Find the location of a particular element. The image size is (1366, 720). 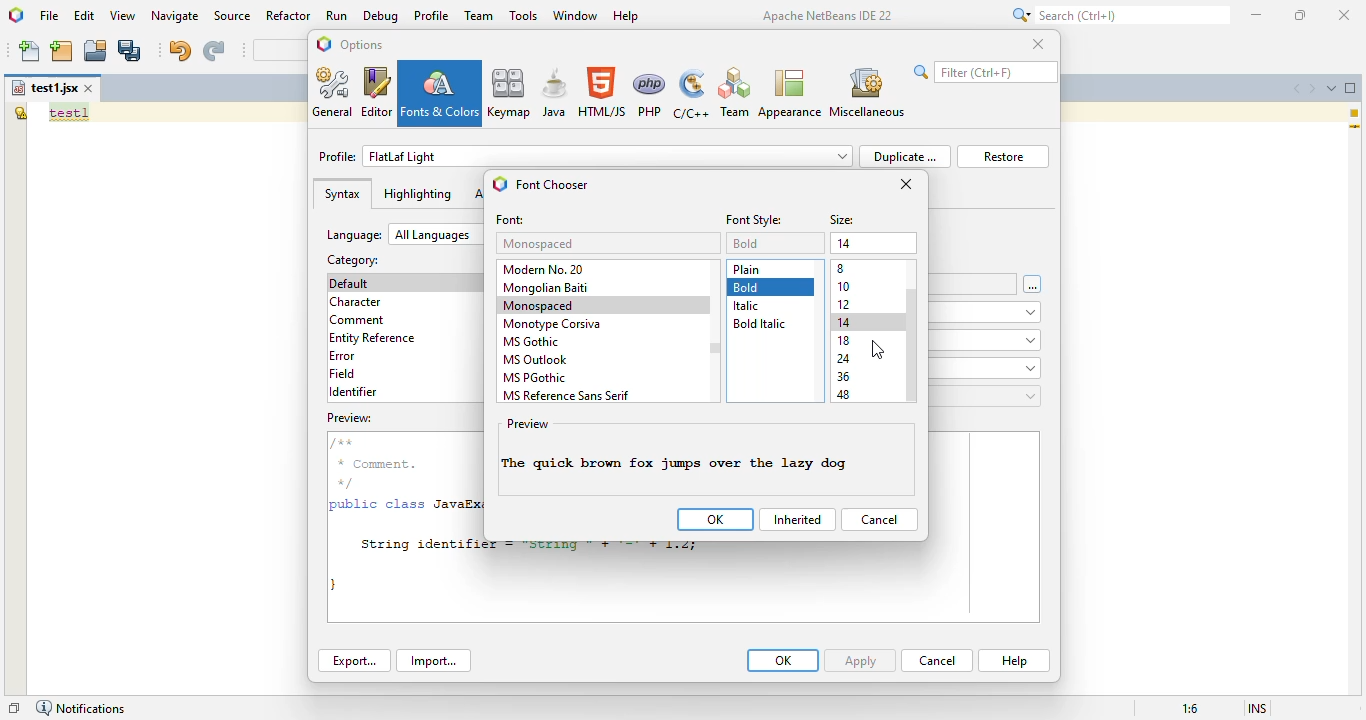

12 is located at coordinates (845, 304).